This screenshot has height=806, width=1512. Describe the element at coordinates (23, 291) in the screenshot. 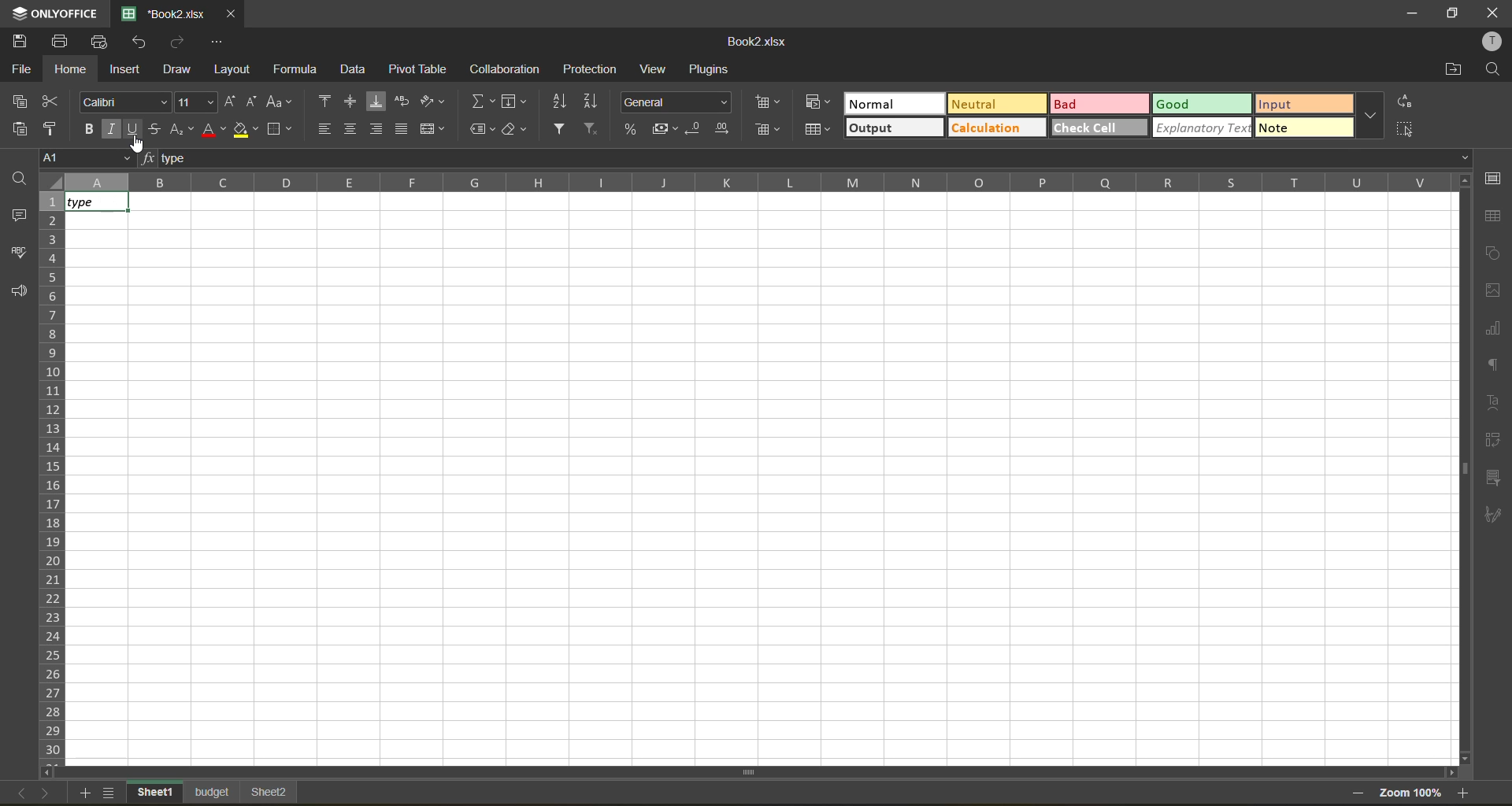

I see `feedback` at that location.